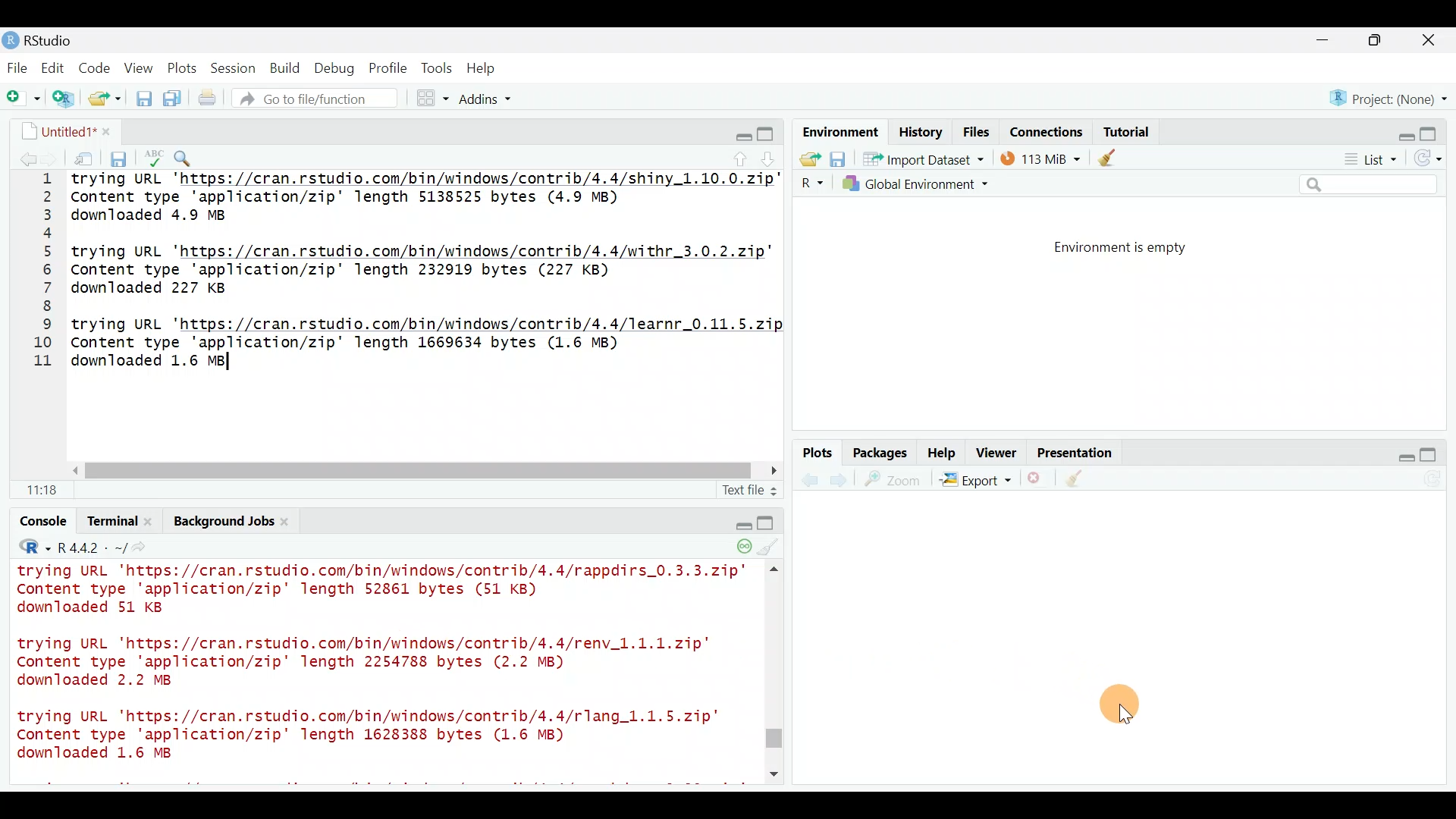  What do you see at coordinates (768, 133) in the screenshot?
I see `maximize` at bounding box center [768, 133].